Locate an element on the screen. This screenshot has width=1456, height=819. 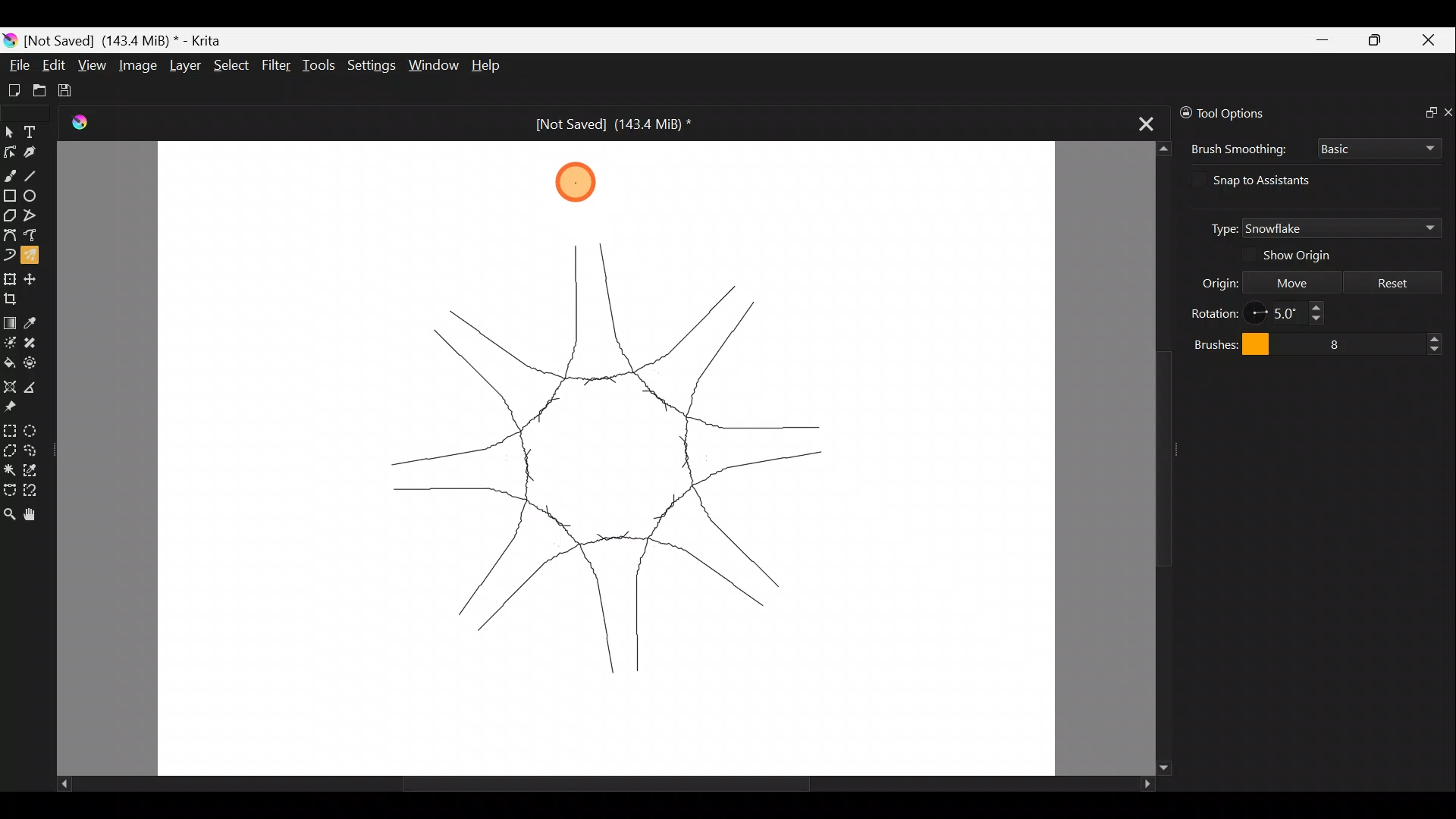
Draw a gradient is located at coordinates (10, 318).